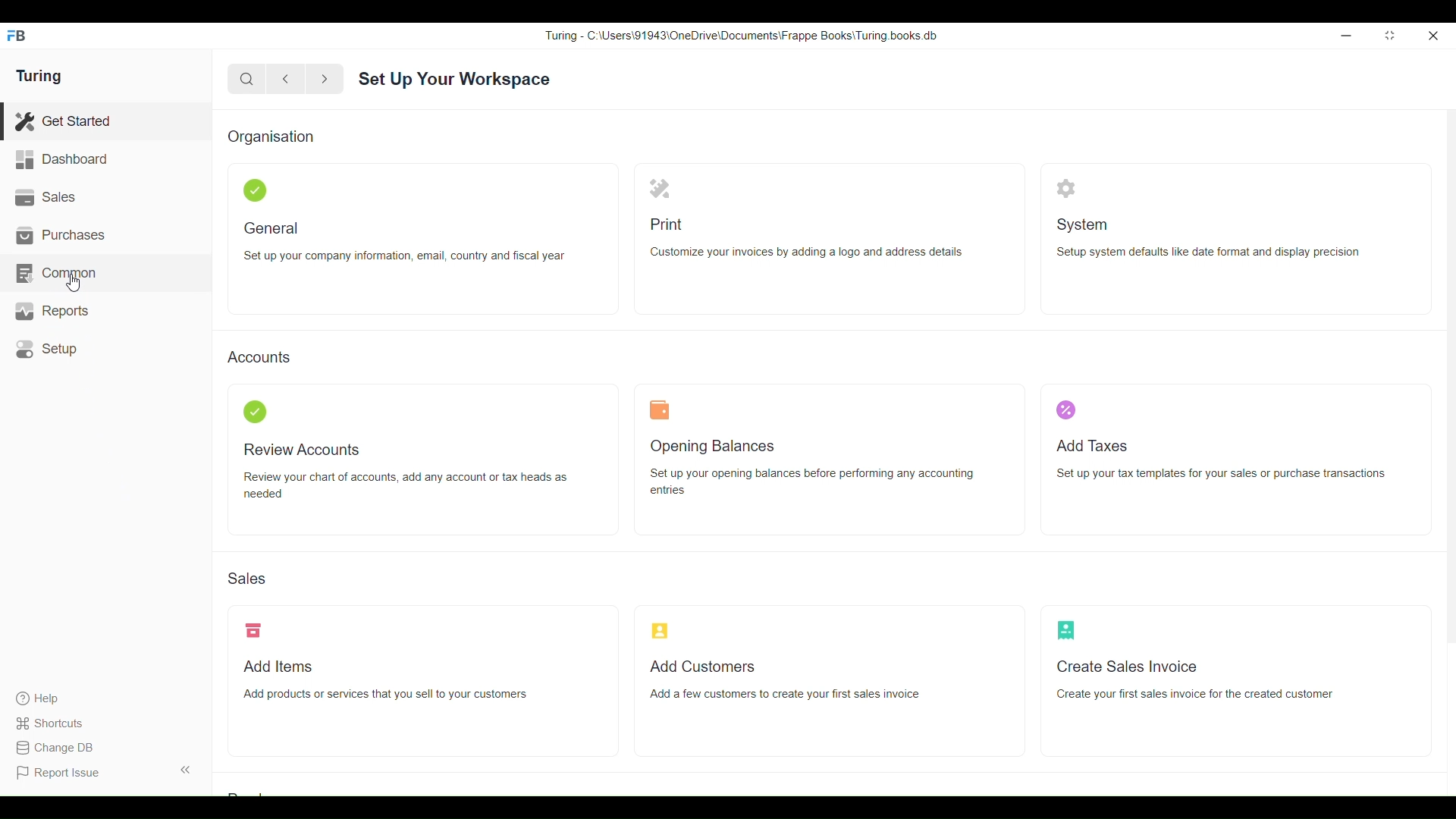 The image size is (1456, 819). I want to click on Print icon, so click(660, 188).